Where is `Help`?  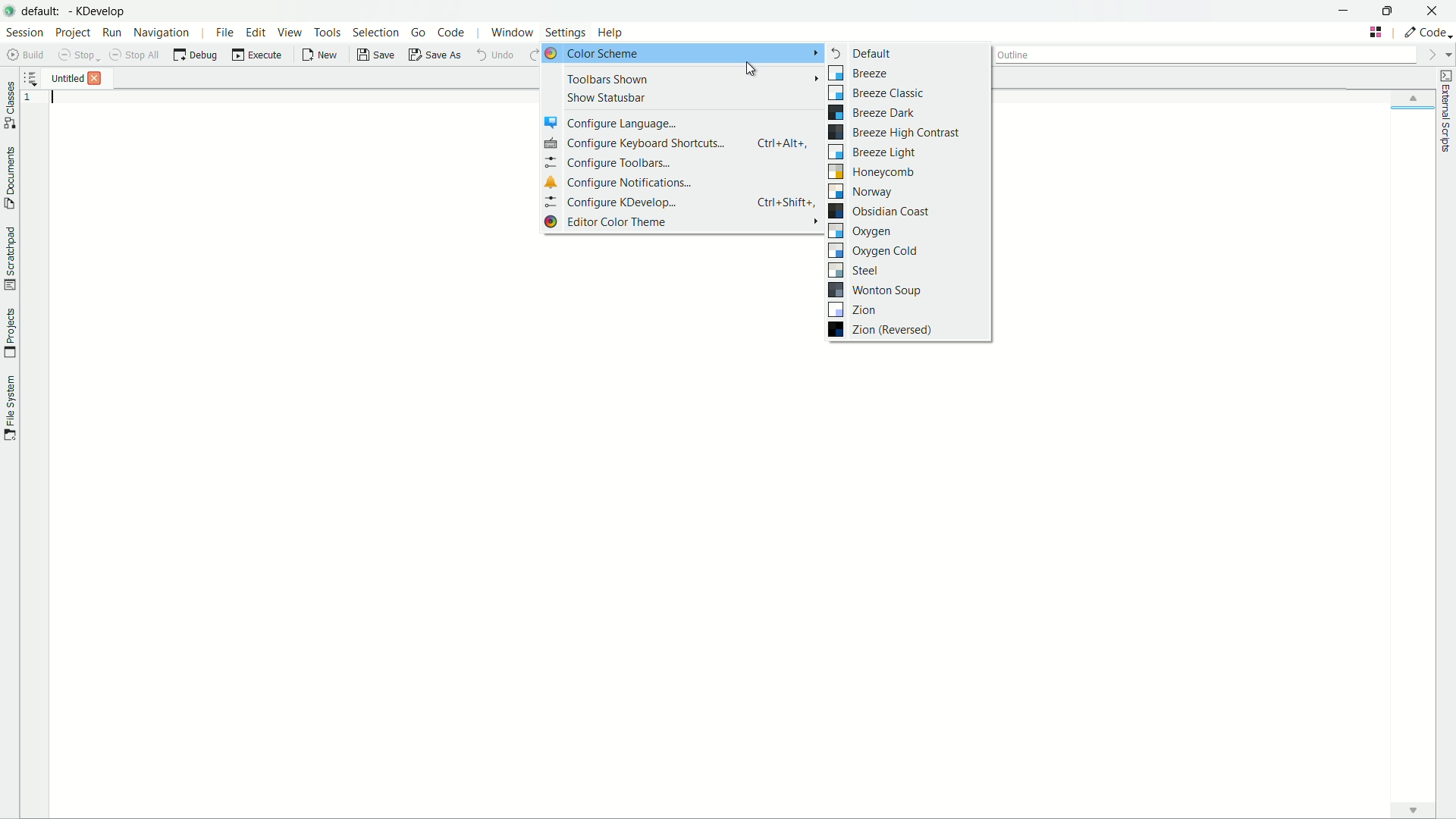
Help is located at coordinates (617, 27).